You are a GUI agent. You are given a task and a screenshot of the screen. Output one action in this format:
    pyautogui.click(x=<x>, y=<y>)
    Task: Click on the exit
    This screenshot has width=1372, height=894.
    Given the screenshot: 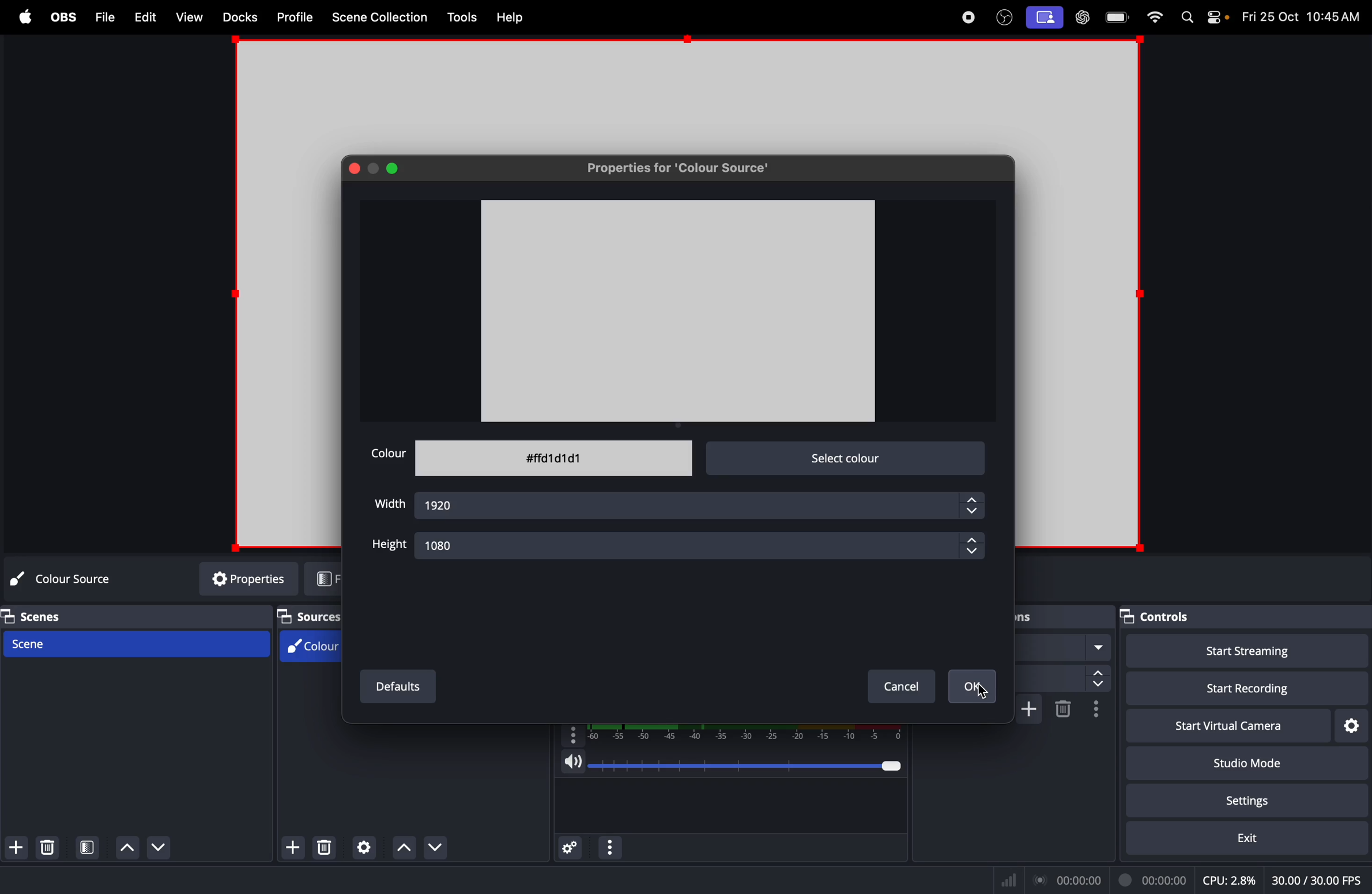 What is the action you would take?
    pyautogui.click(x=1238, y=839)
    